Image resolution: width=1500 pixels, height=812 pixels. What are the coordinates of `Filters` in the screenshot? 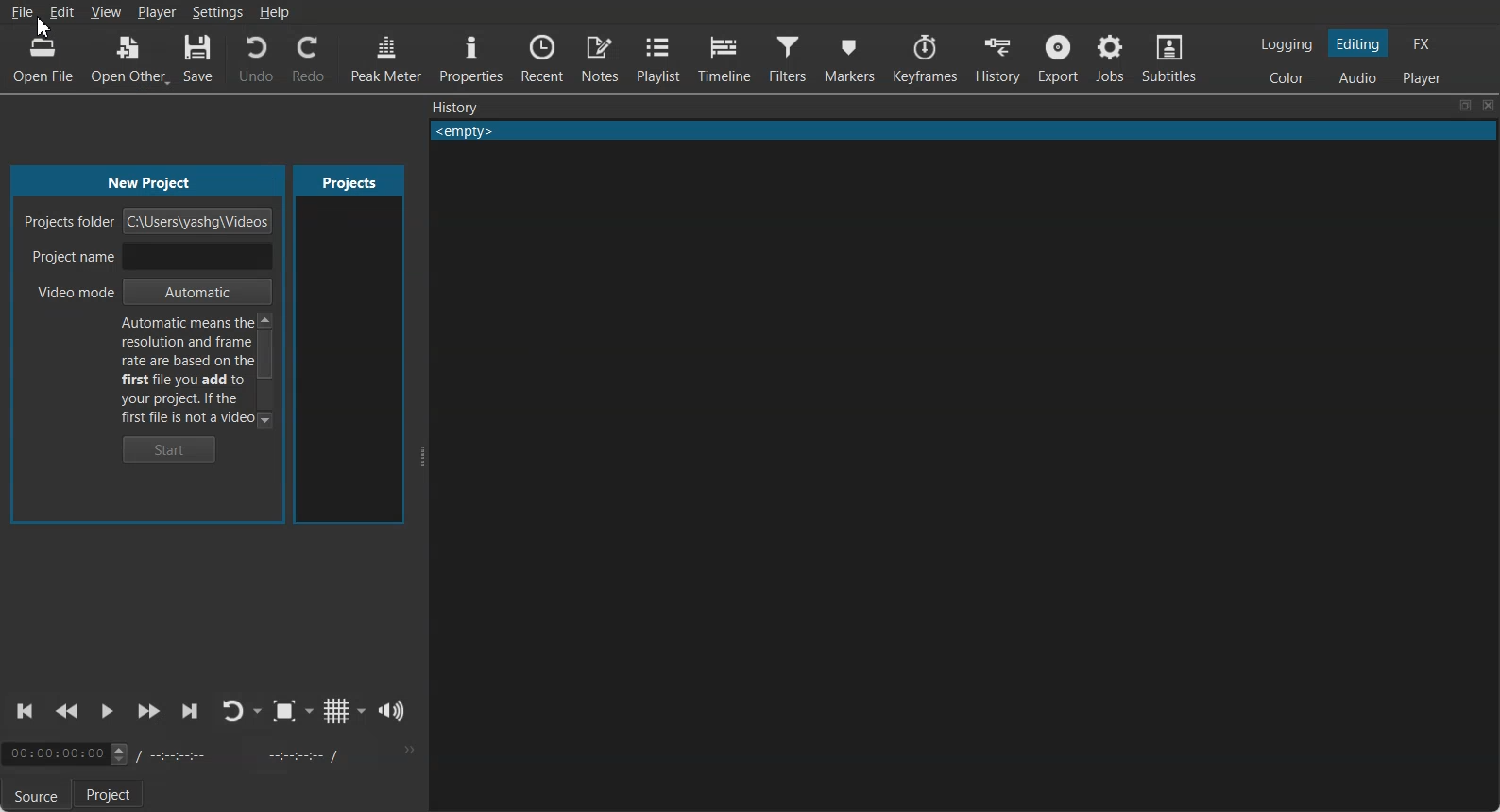 It's located at (787, 57).